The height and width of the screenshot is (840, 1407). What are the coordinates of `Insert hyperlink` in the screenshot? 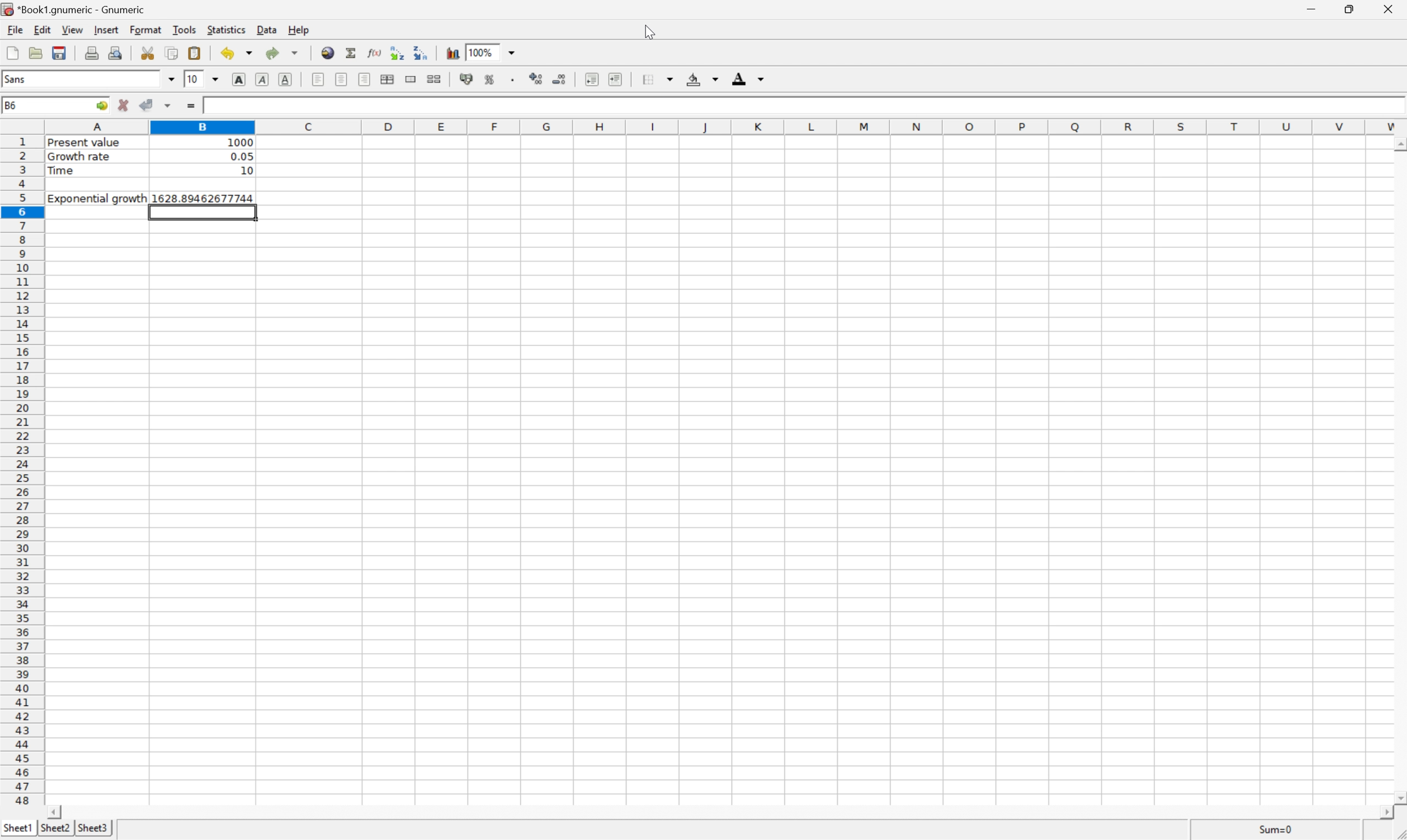 It's located at (328, 53).